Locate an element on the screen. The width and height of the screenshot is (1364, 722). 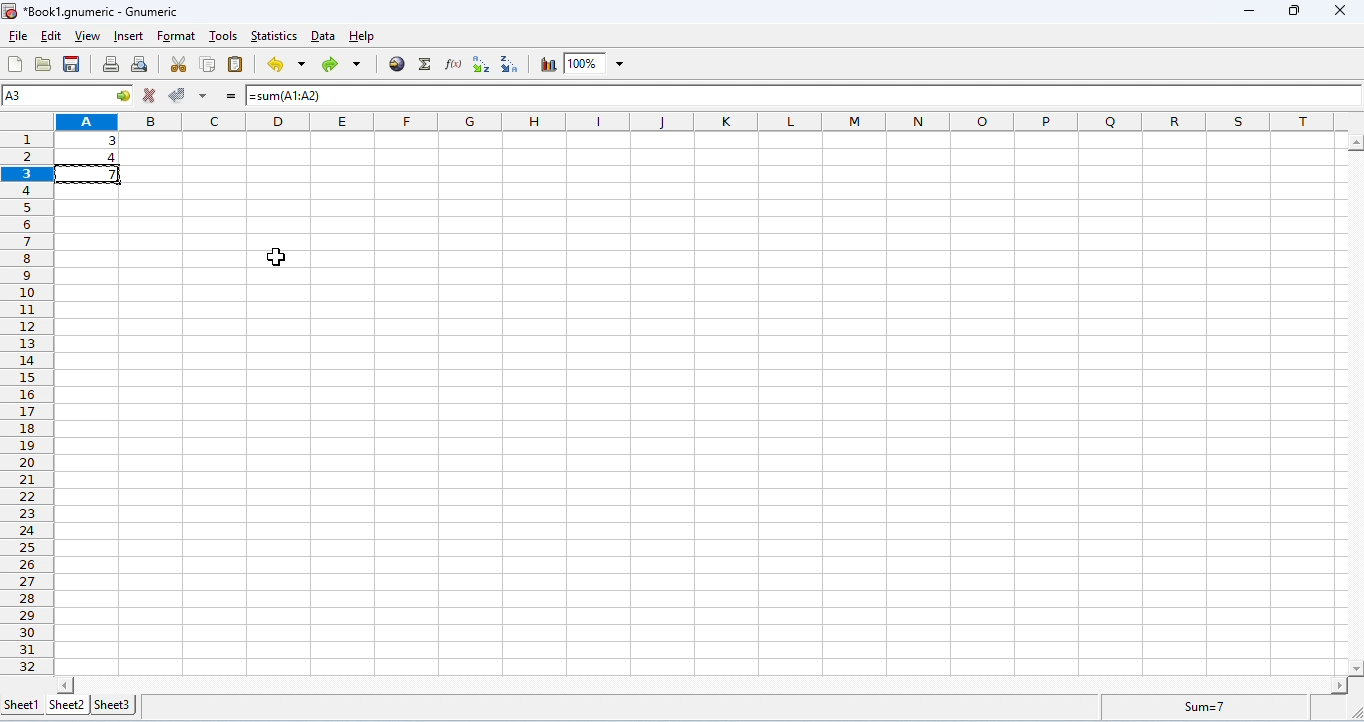
edit is located at coordinates (52, 35).